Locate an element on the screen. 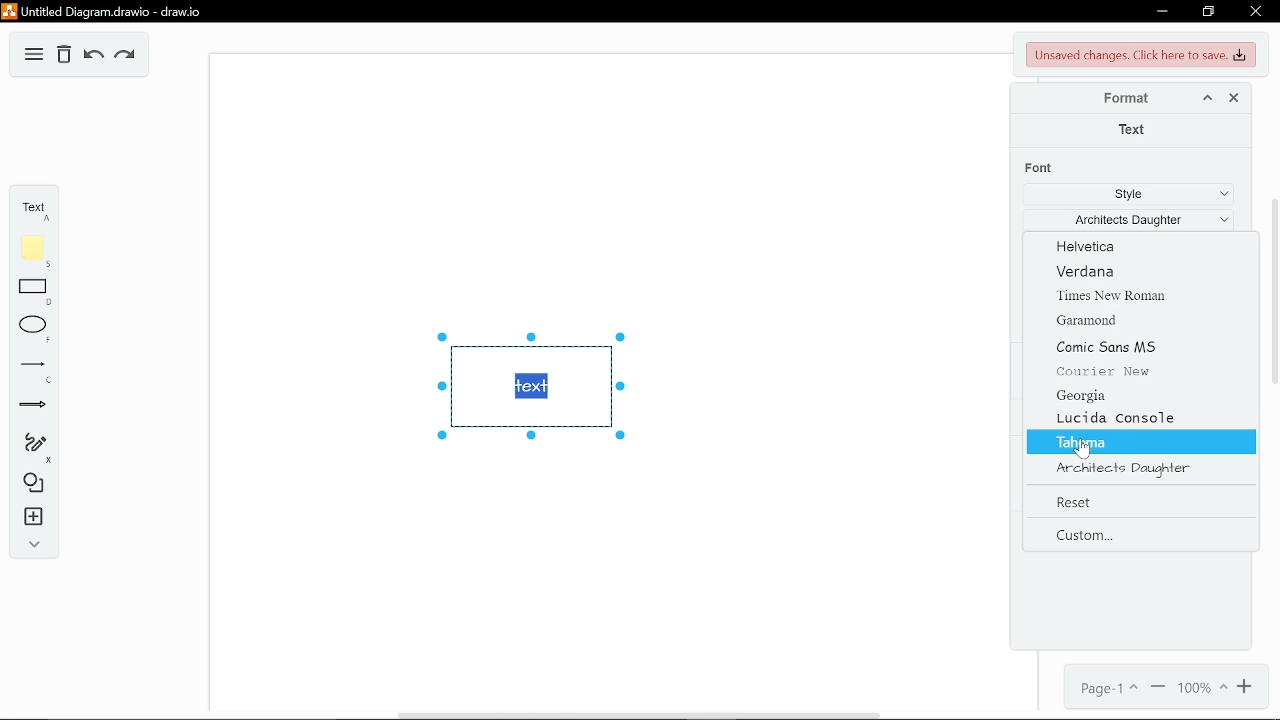 The width and height of the screenshot is (1280, 720). custom is located at coordinates (1134, 536).